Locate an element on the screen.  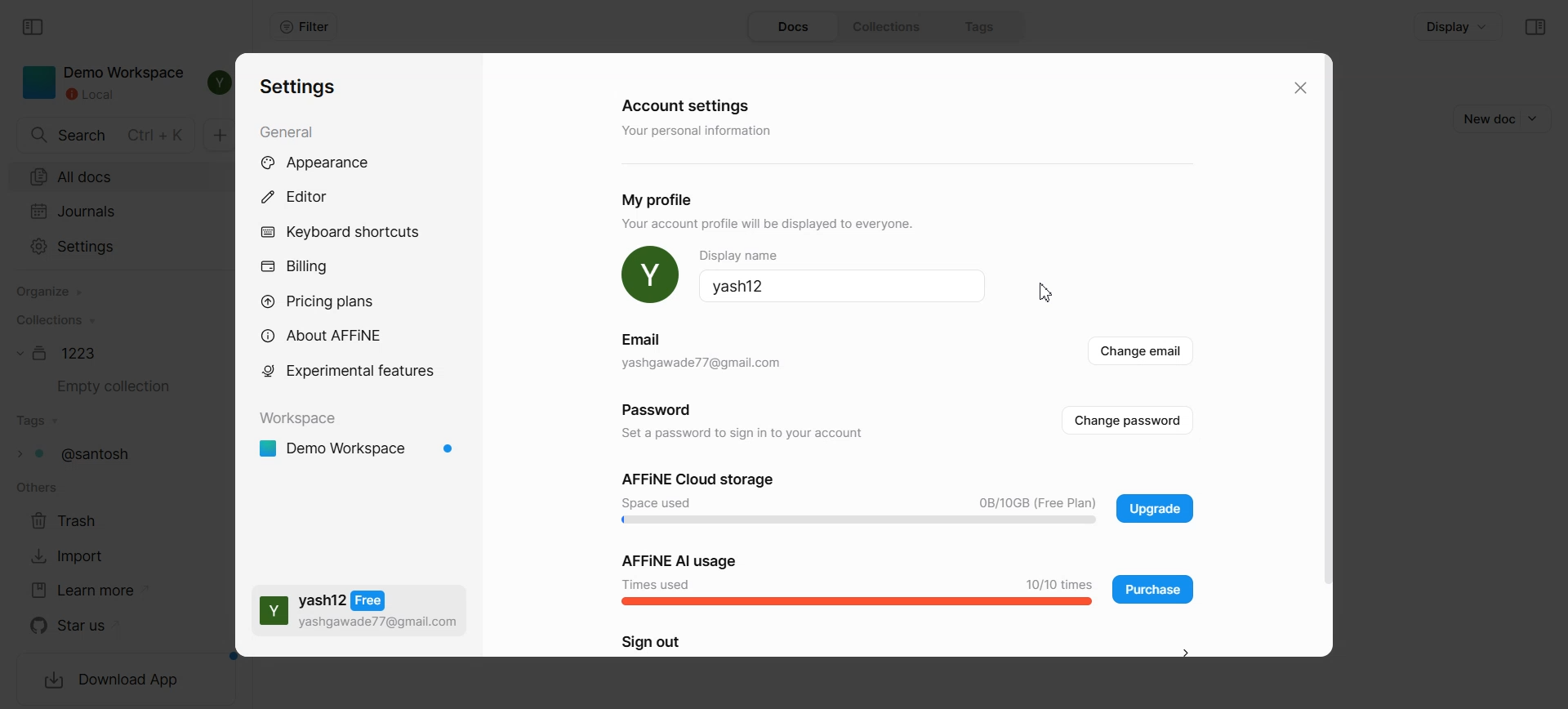
Filter is located at coordinates (304, 27).